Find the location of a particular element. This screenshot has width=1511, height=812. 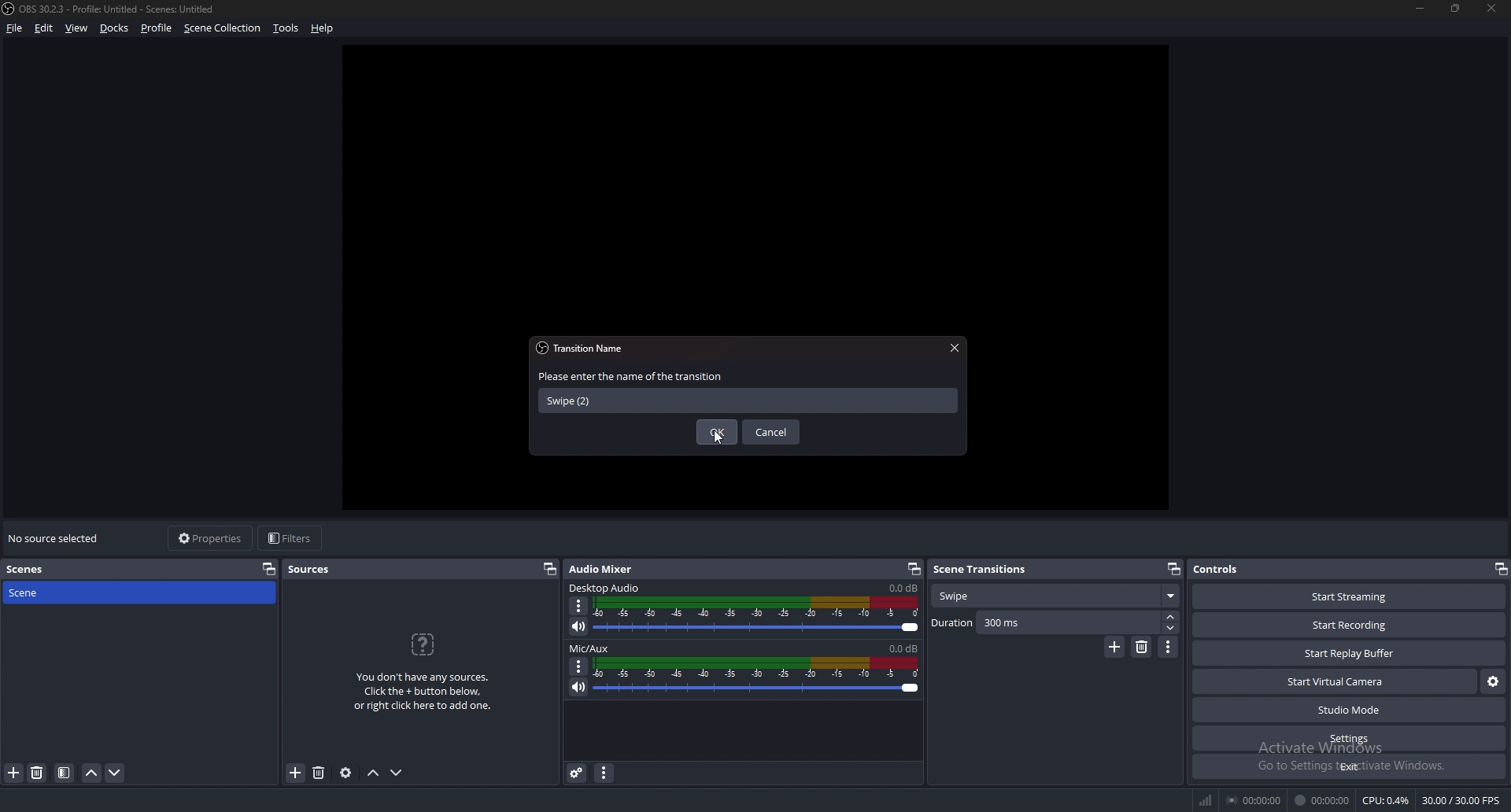

close is located at coordinates (955, 349).